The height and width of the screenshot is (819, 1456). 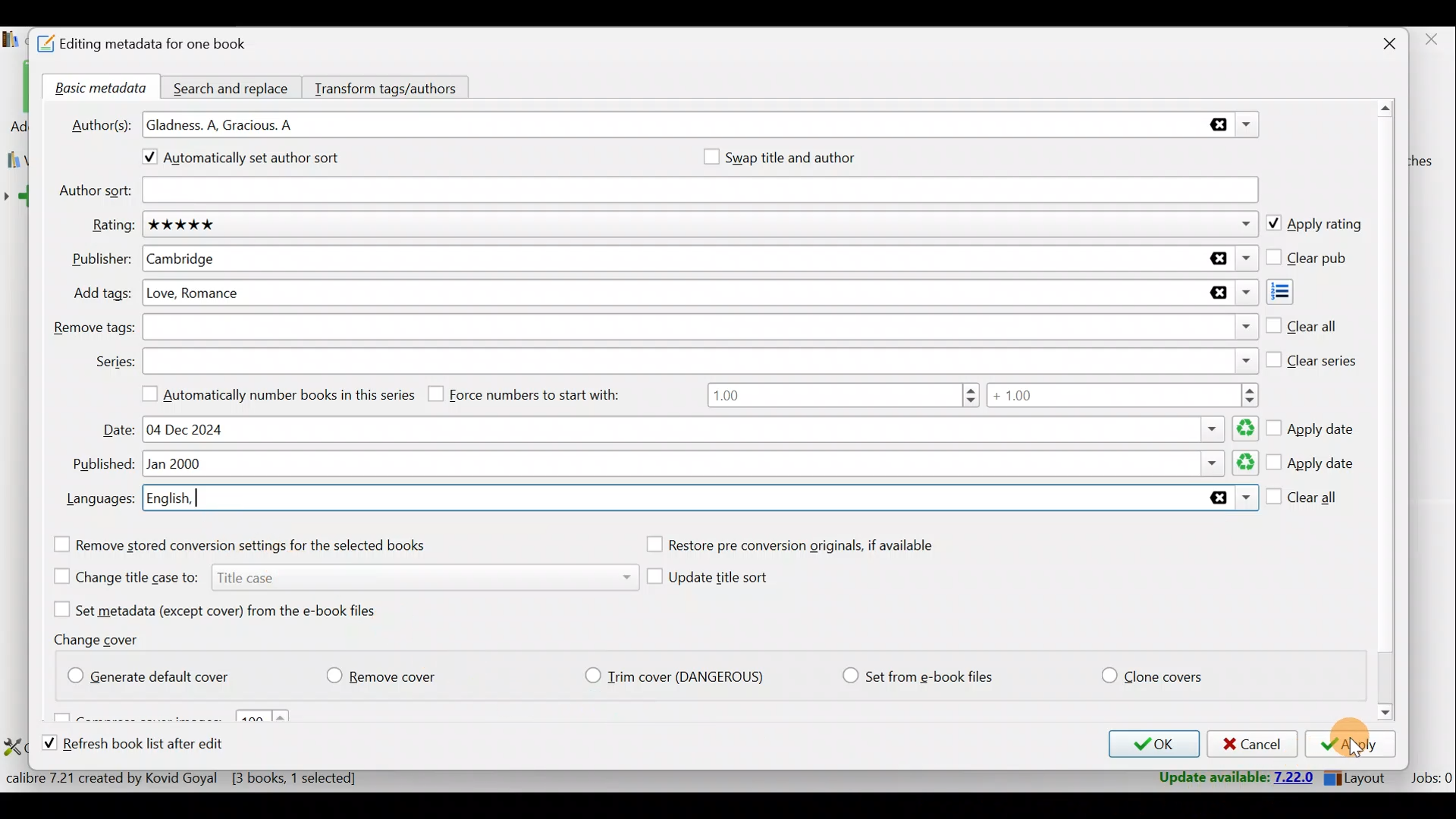 What do you see at coordinates (1304, 500) in the screenshot?
I see `Clear all` at bounding box center [1304, 500].